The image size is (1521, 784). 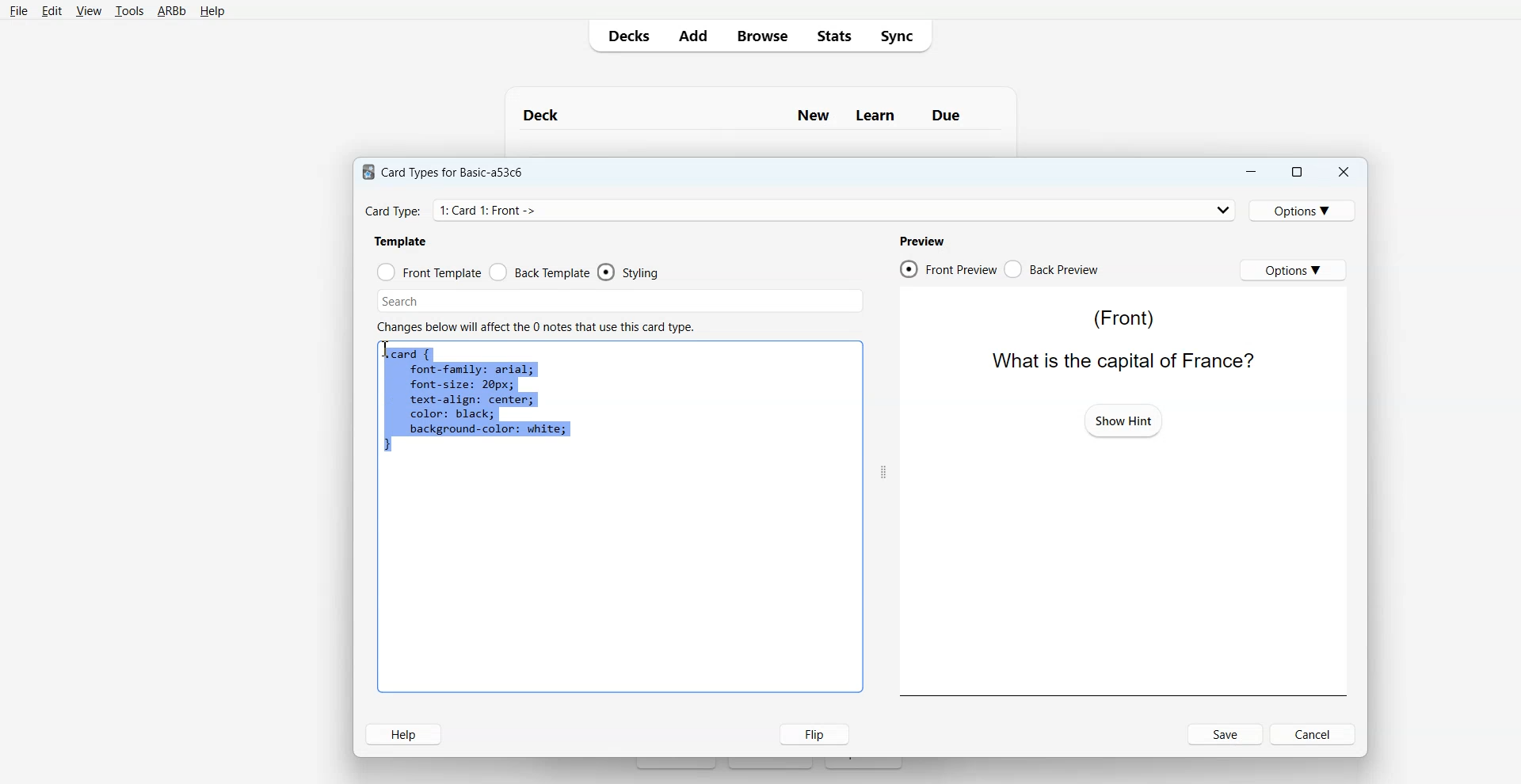 What do you see at coordinates (1305, 210) in the screenshot?
I see `Options` at bounding box center [1305, 210].